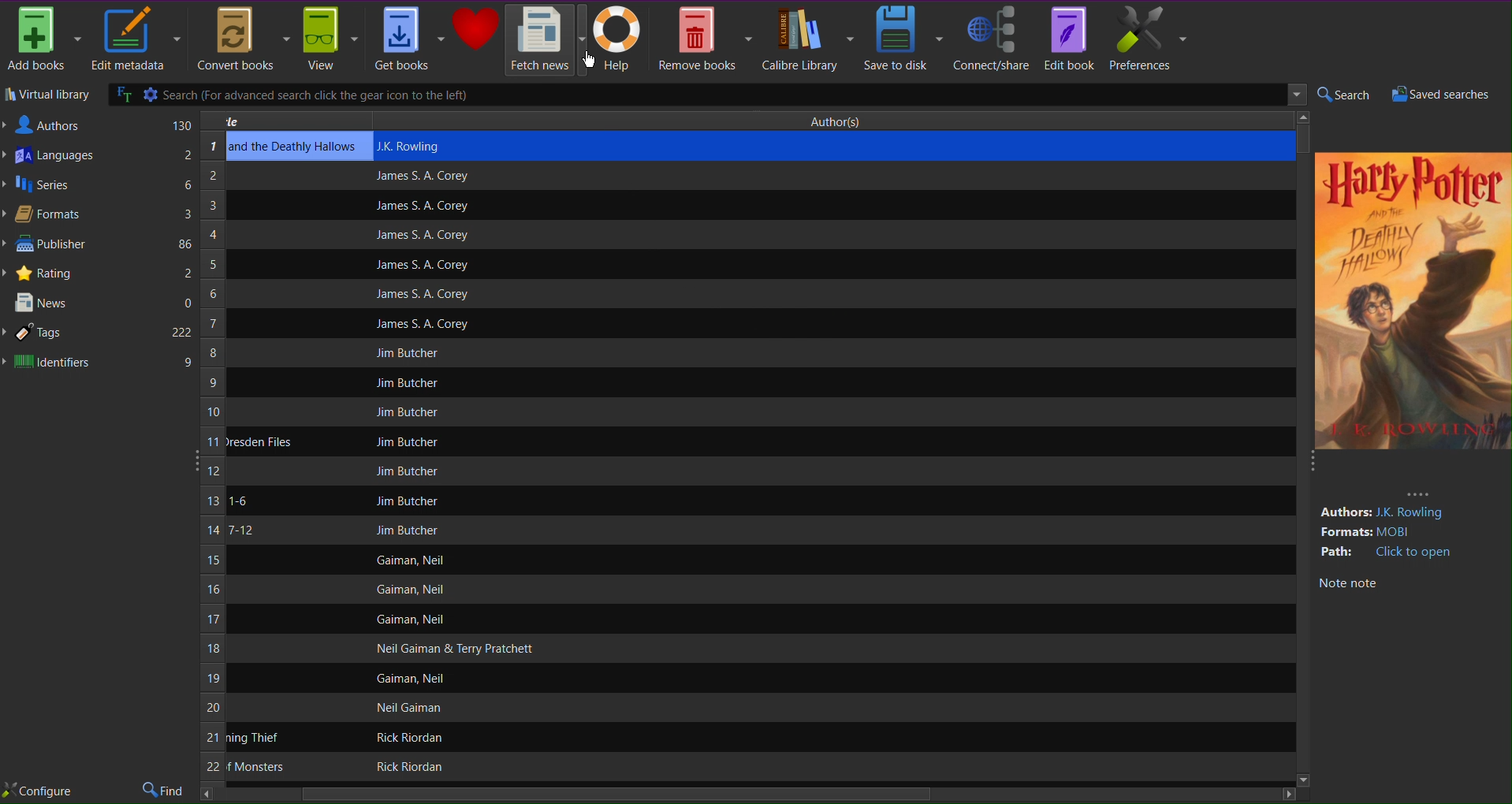 Image resolution: width=1512 pixels, height=804 pixels. I want to click on Gaiman, Neil, so click(412, 620).